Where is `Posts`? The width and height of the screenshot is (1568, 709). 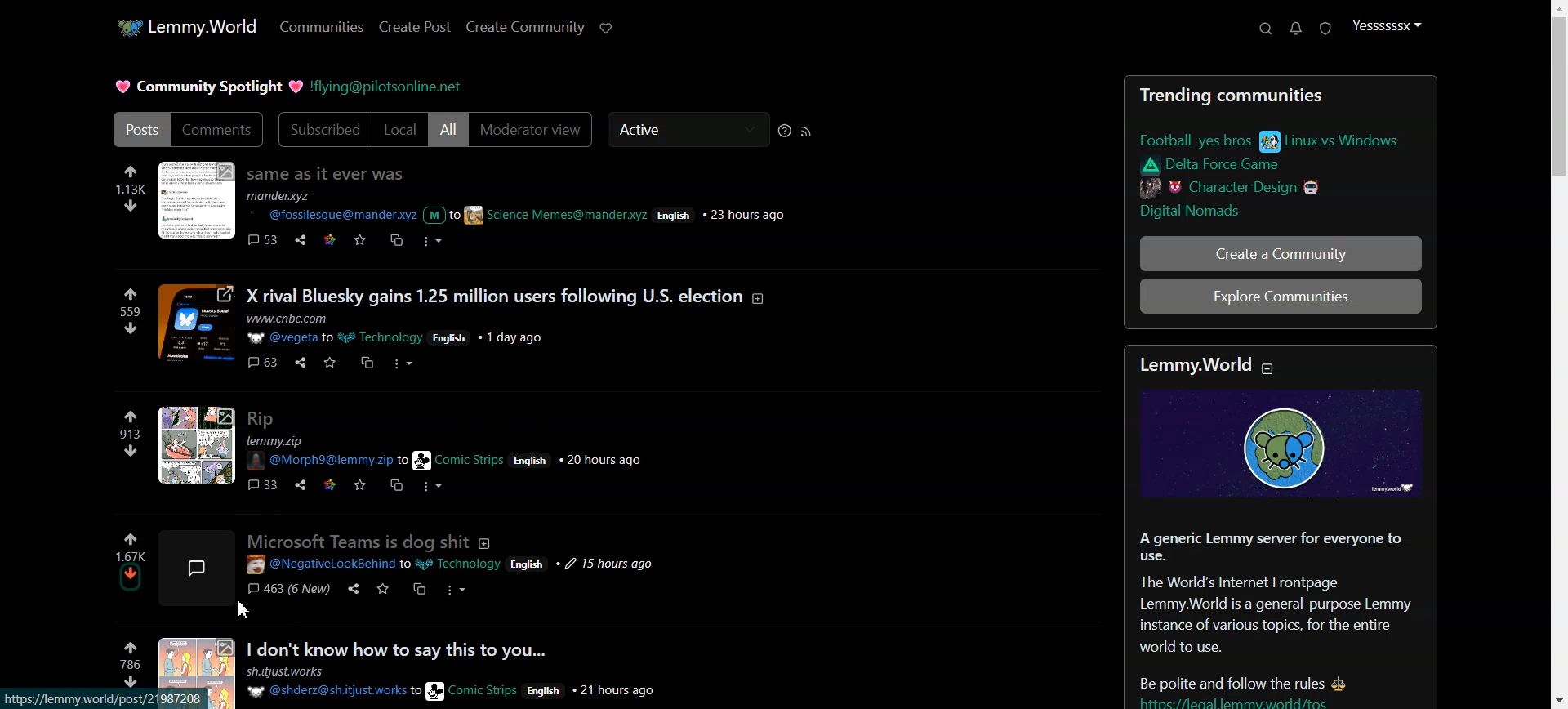 Posts is located at coordinates (1281, 156).